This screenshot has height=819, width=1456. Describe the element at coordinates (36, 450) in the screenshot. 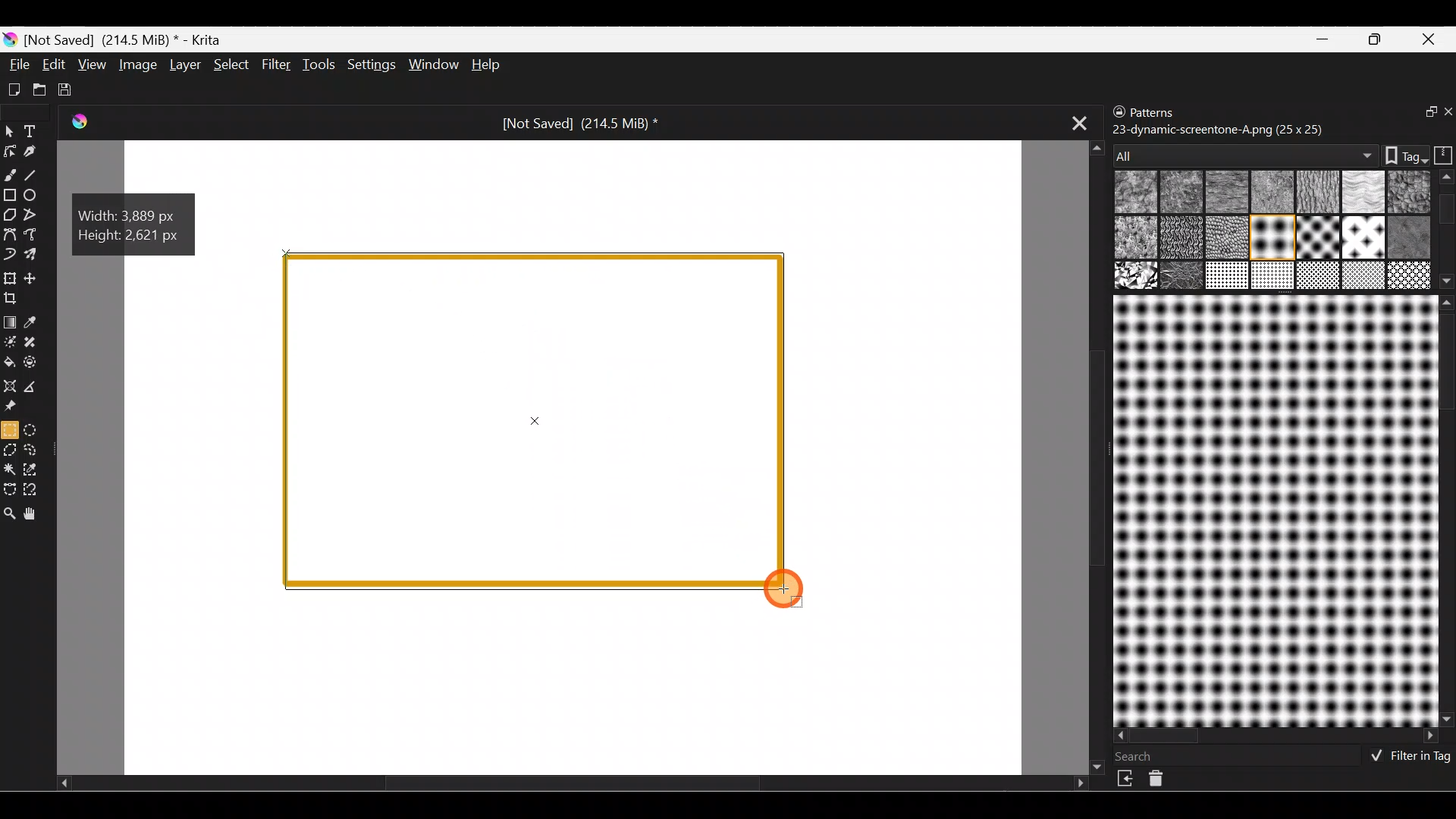

I see `Freehand selection tool` at that location.